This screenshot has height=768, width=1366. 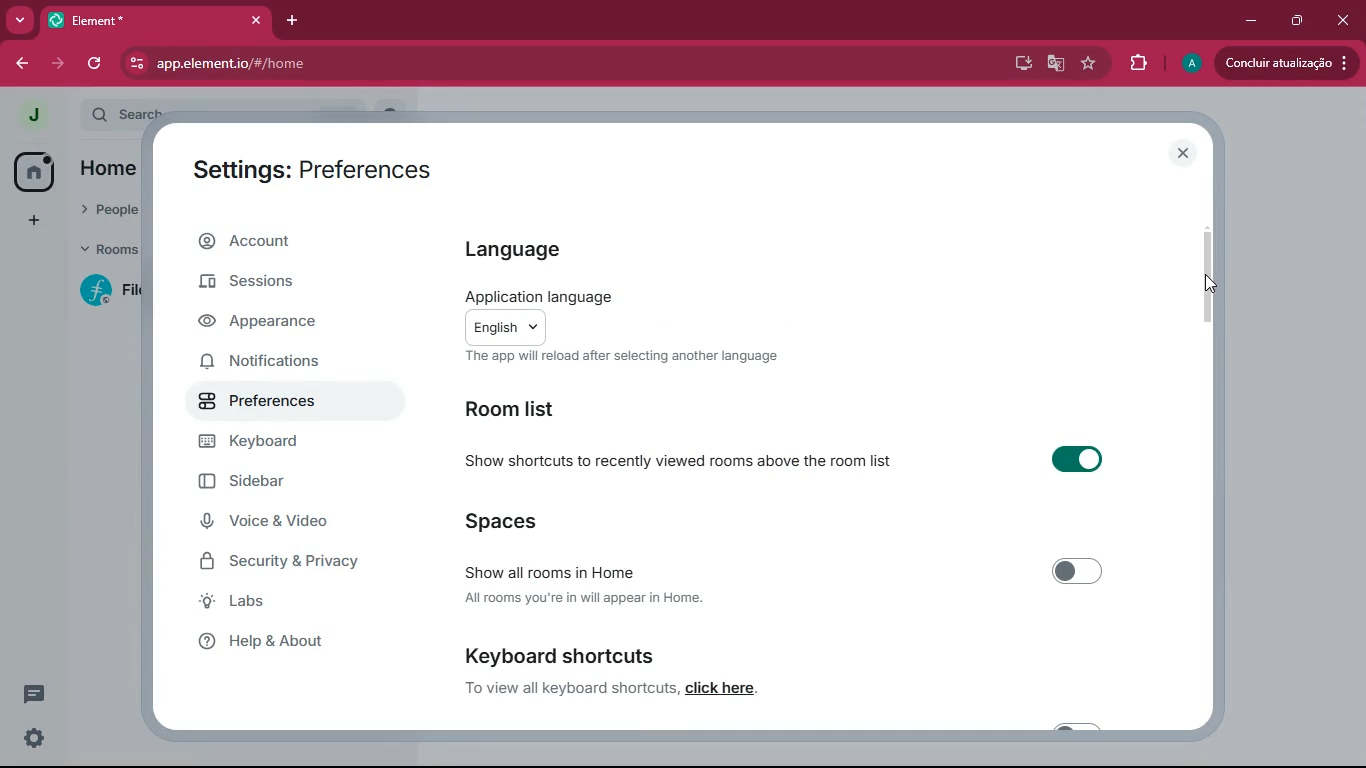 I want to click on the app will reload after selecting another language, so click(x=621, y=356).